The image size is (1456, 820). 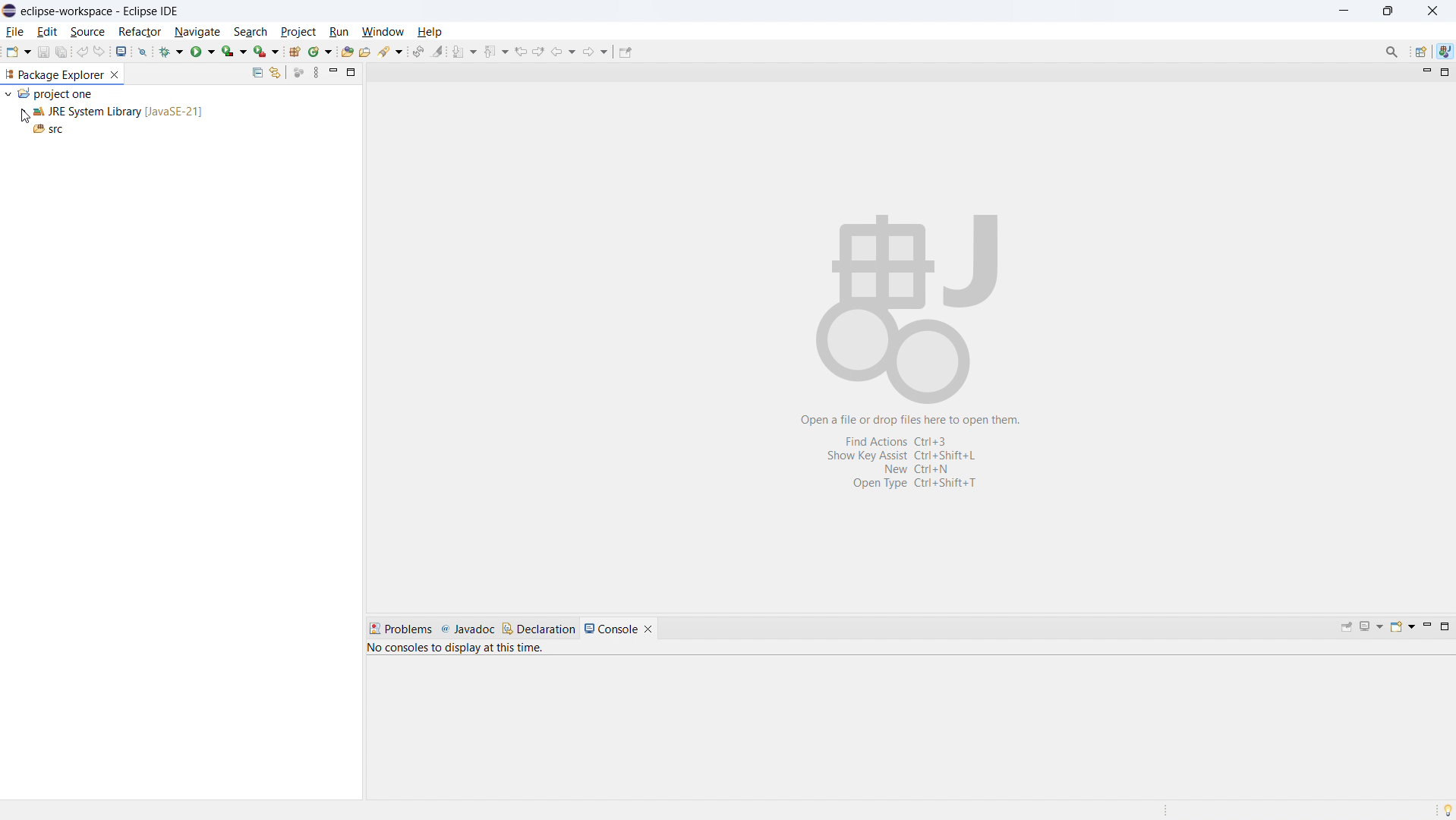 I want to click on view menu, so click(x=317, y=72).